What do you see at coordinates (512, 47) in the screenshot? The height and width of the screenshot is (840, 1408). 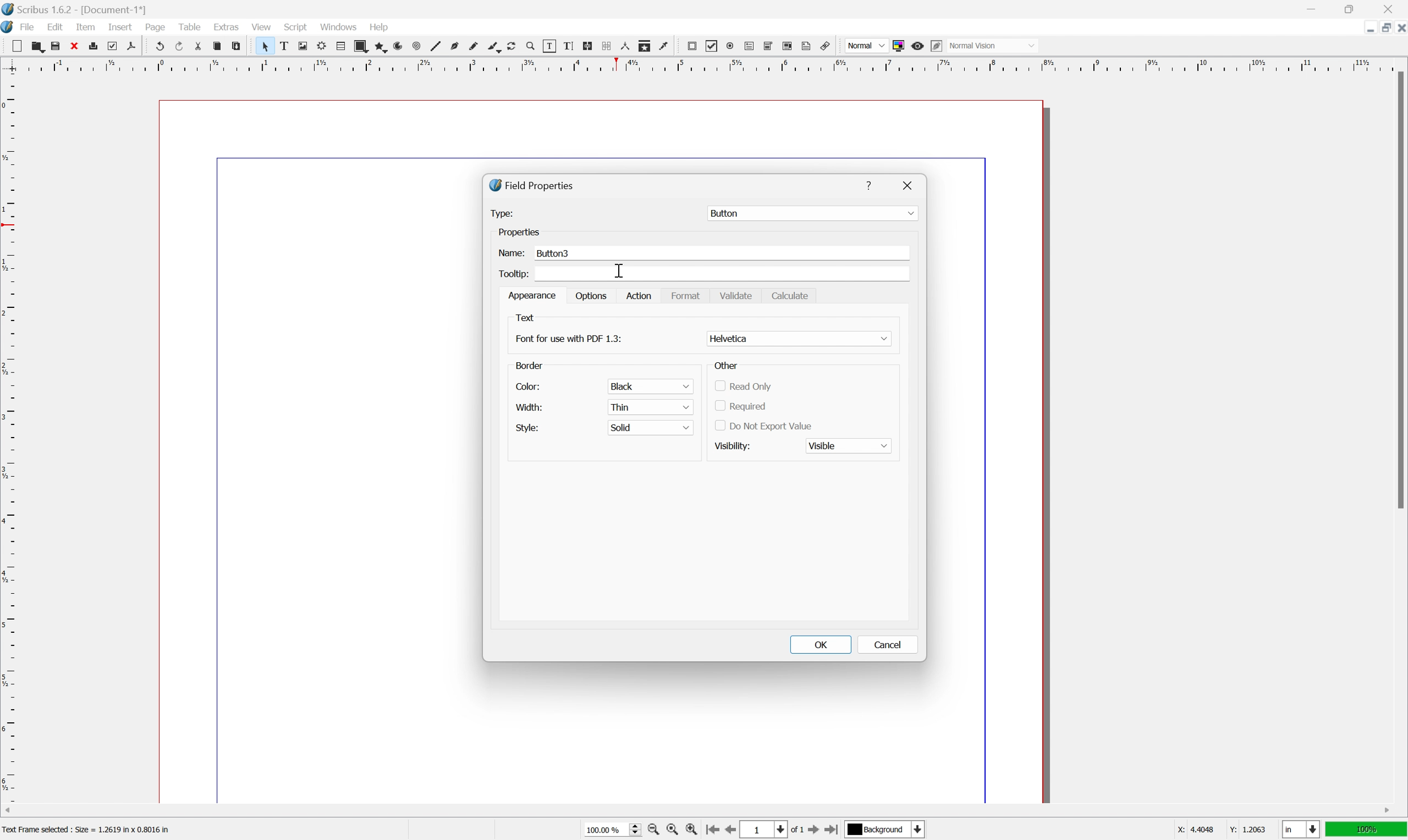 I see `rotate item` at bounding box center [512, 47].